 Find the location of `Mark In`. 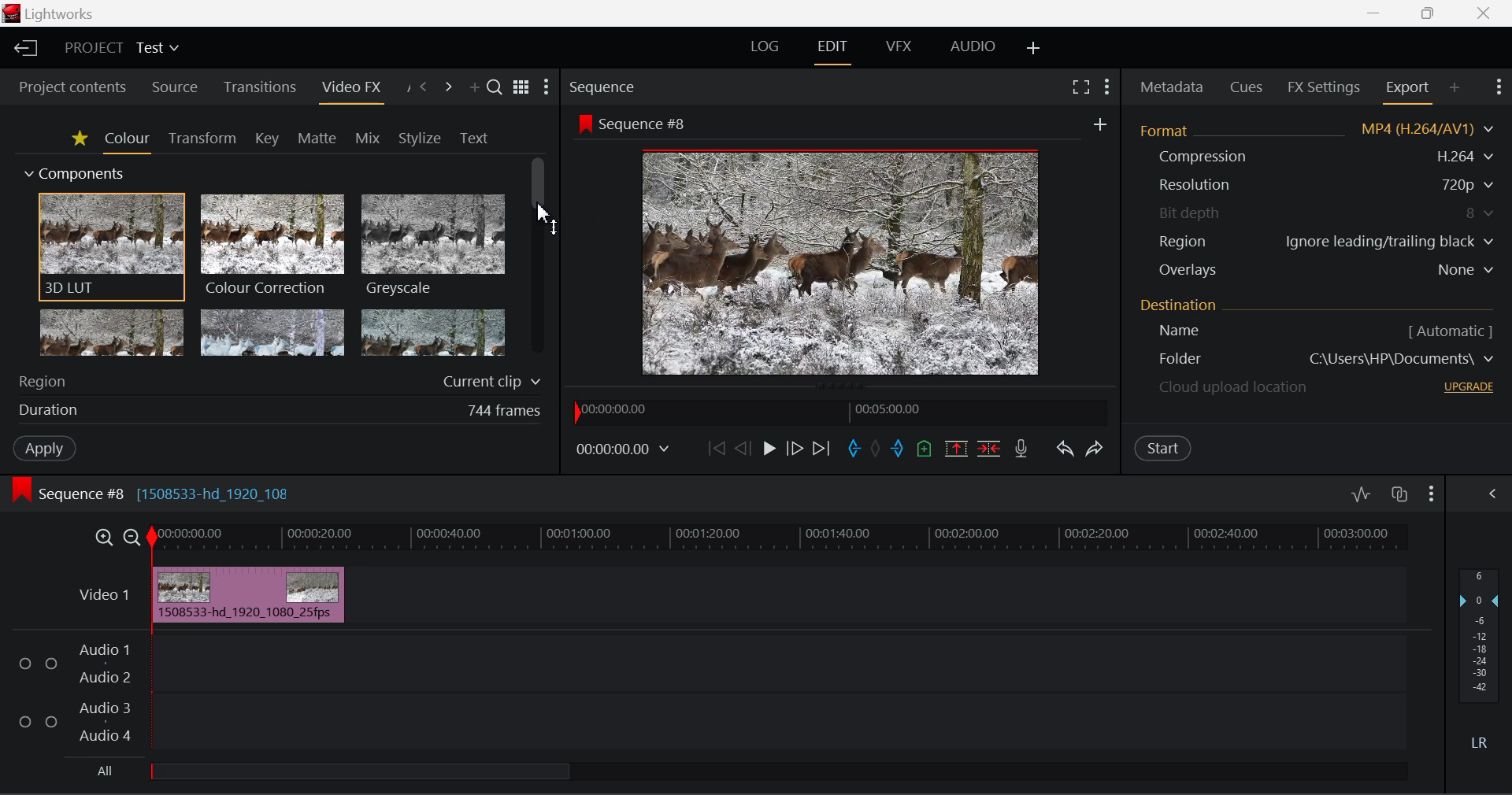

Mark In is located at coordinates (852, 449).